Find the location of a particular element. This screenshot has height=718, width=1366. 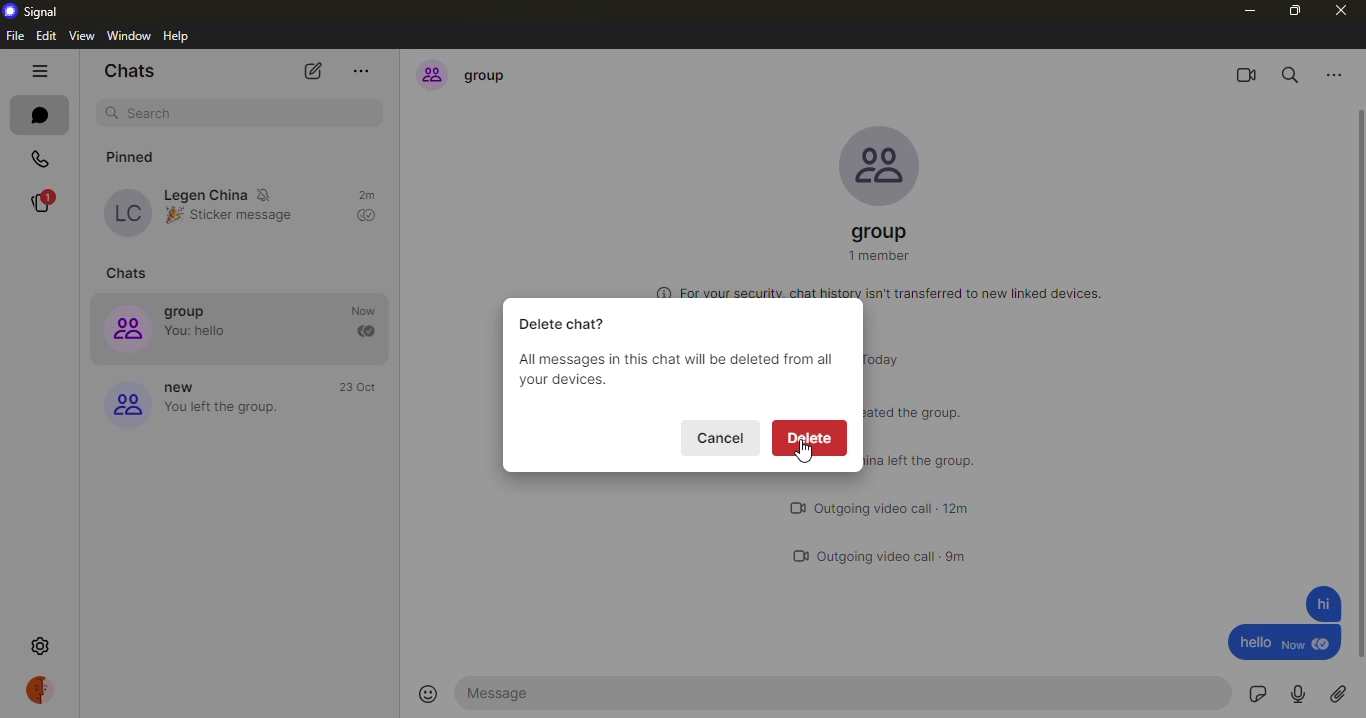

maximize is located at coordinates (1293, 8).